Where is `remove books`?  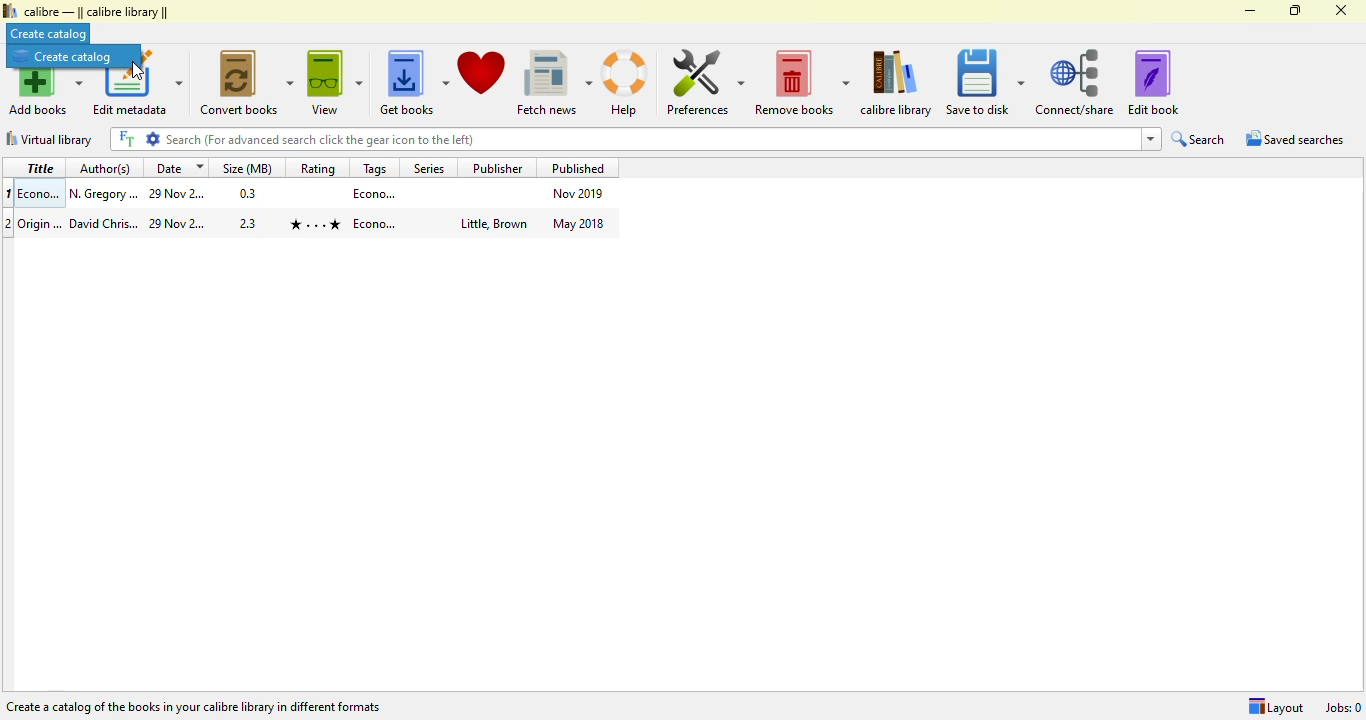 remove books is located at coordinates (801, 82).